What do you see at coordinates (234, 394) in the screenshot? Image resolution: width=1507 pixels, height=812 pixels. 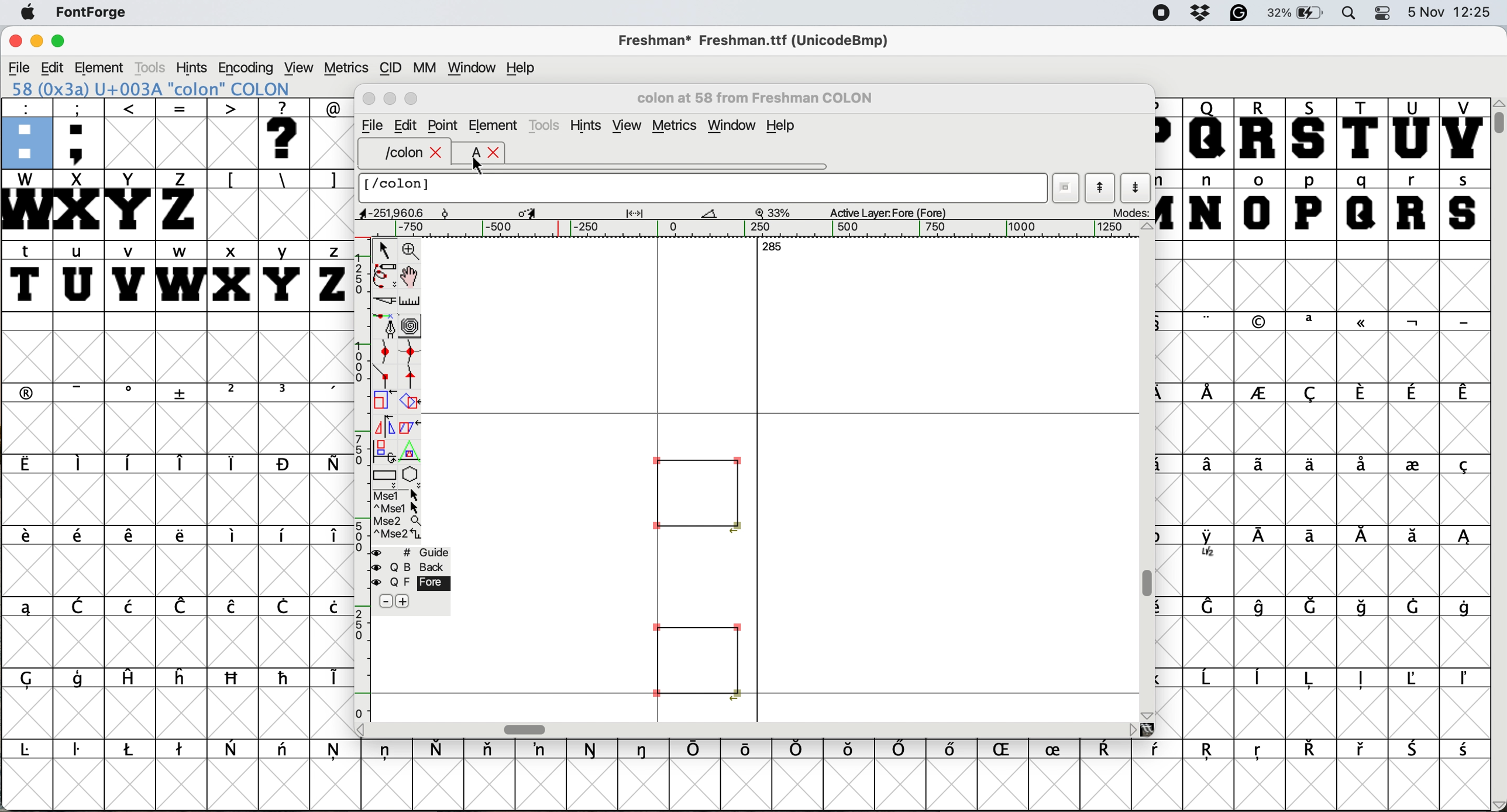 I see `` at bounding box center [234, 394].